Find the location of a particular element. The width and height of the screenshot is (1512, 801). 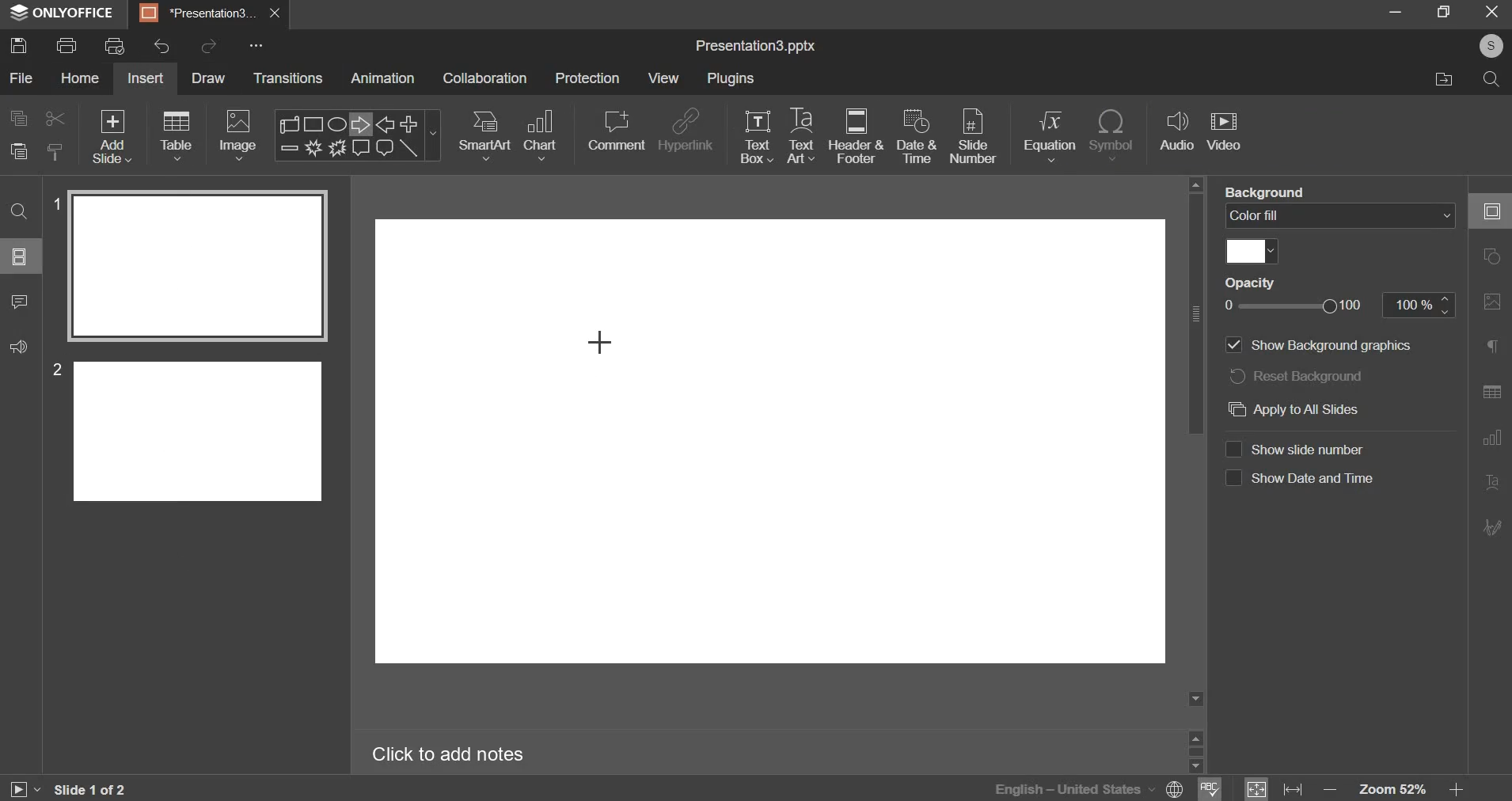

Shape settings is located at coordinates (1491, 256).